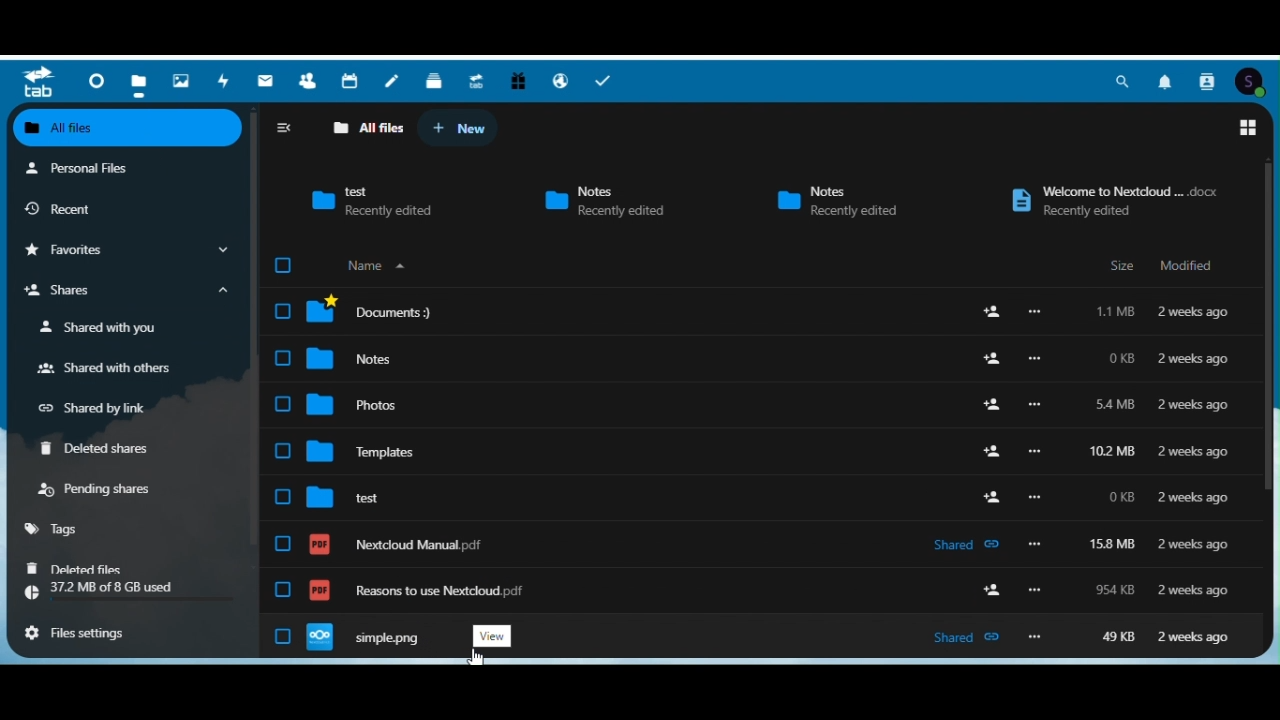 The width and height of the screenshot is (1280, 720). What do you see at coordinates (1250, 84) in the screenshot?
I see `Account icon` at bounding box center [1250, 84].